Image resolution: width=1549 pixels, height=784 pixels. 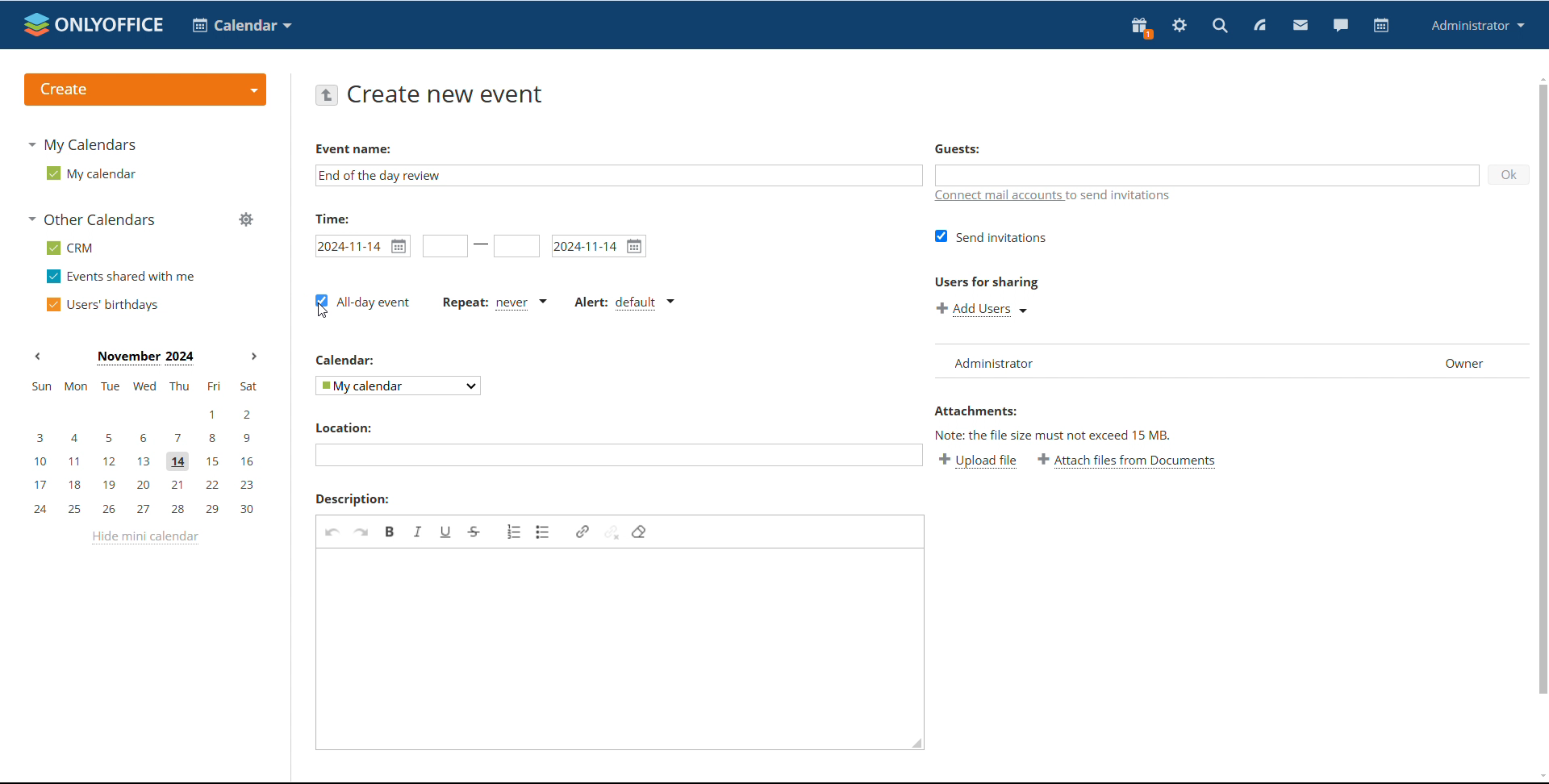 I want to click on events shared with me, so click(x=123, y=276).